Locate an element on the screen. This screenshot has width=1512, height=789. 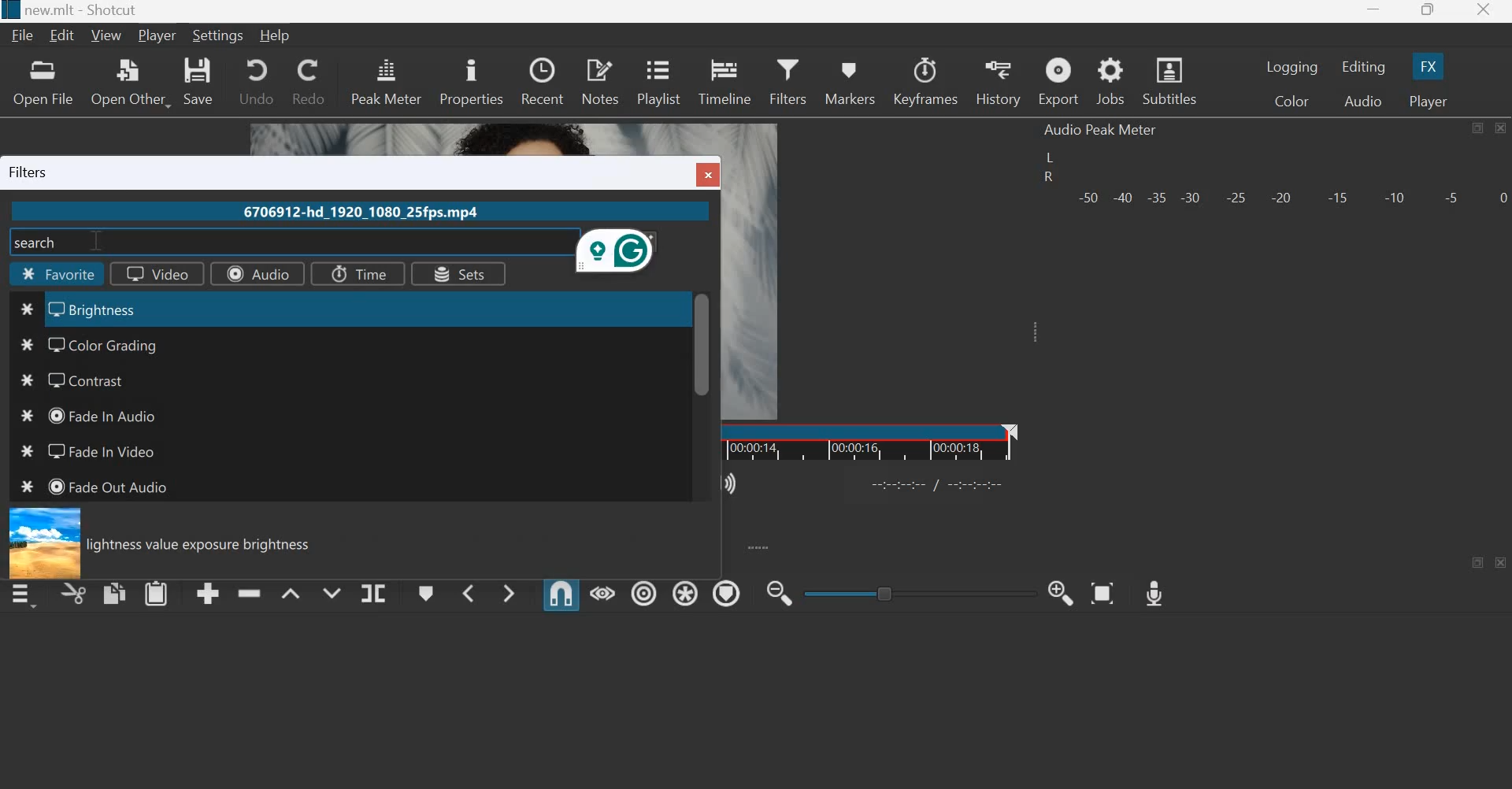
search is located at coordinates (39, 241).